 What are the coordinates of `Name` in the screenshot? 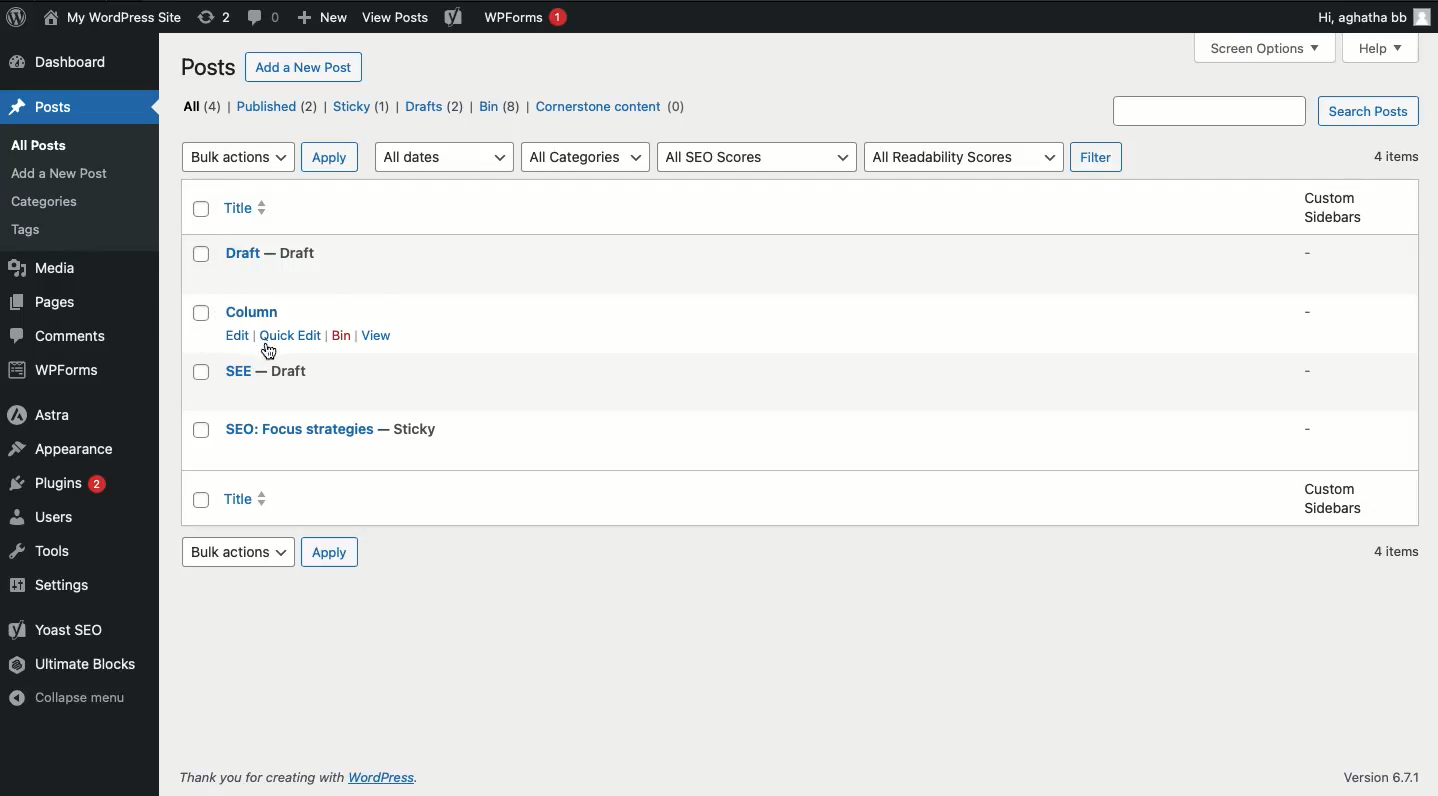 It's located at (111, 18).